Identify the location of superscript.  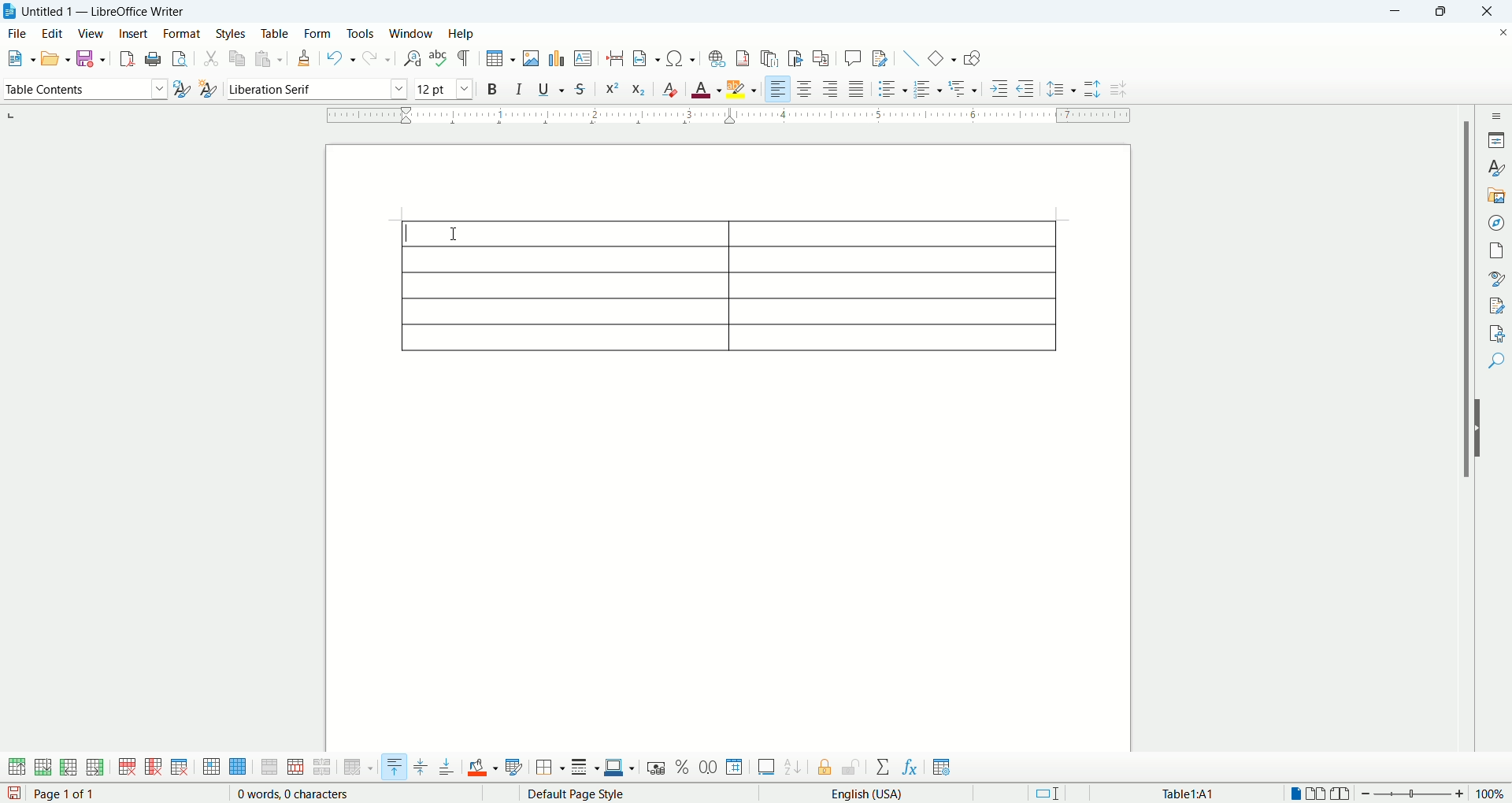
(611, 89).